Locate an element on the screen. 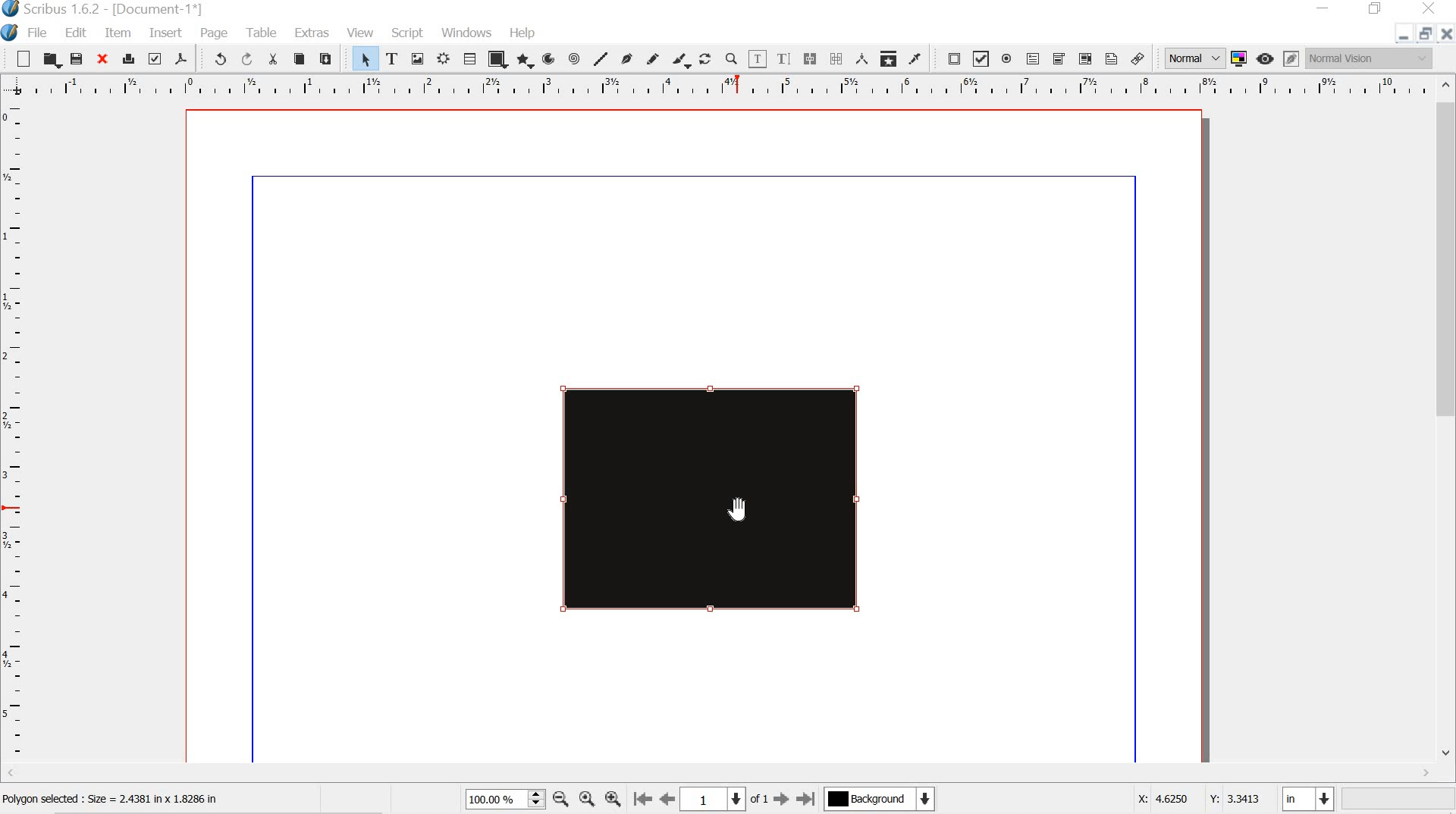  text annotation is located at coordinates (1112, 59).